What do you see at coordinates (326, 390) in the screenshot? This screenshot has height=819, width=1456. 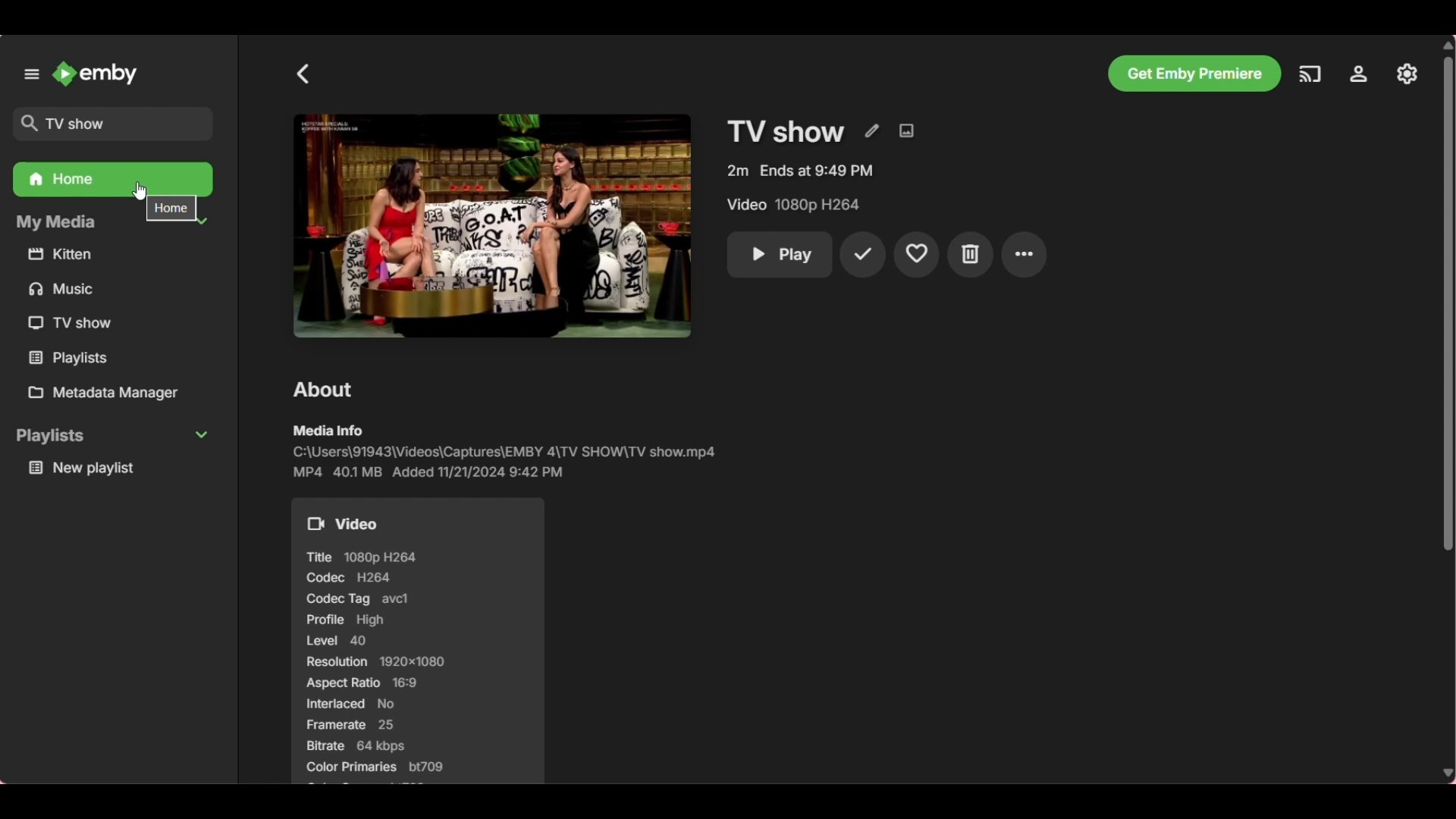 I see `About` at bounding box center [326, 390].